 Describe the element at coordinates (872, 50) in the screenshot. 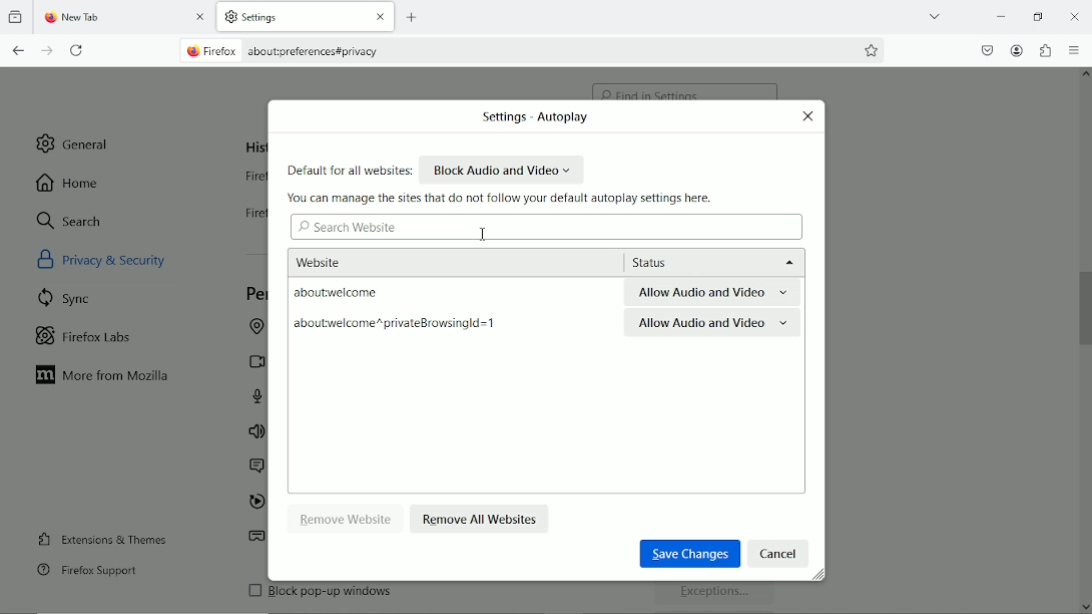

I see `bookmark this page` at that location.